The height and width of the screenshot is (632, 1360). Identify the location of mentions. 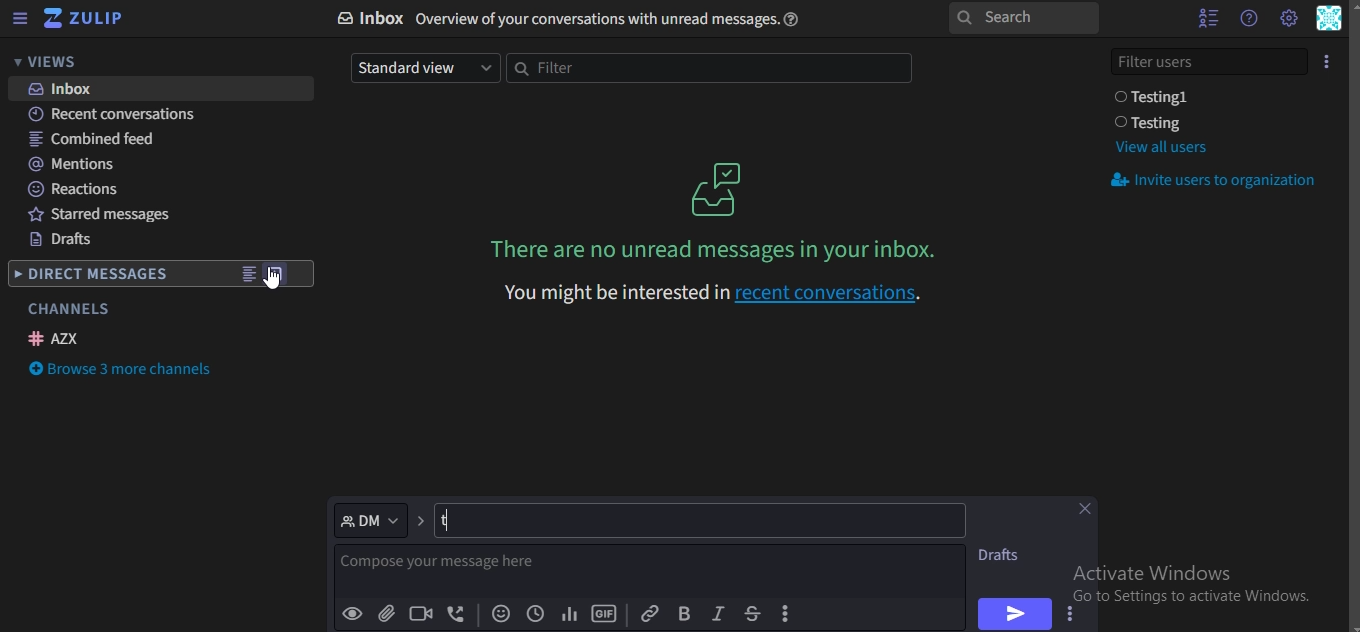
(76, 164).